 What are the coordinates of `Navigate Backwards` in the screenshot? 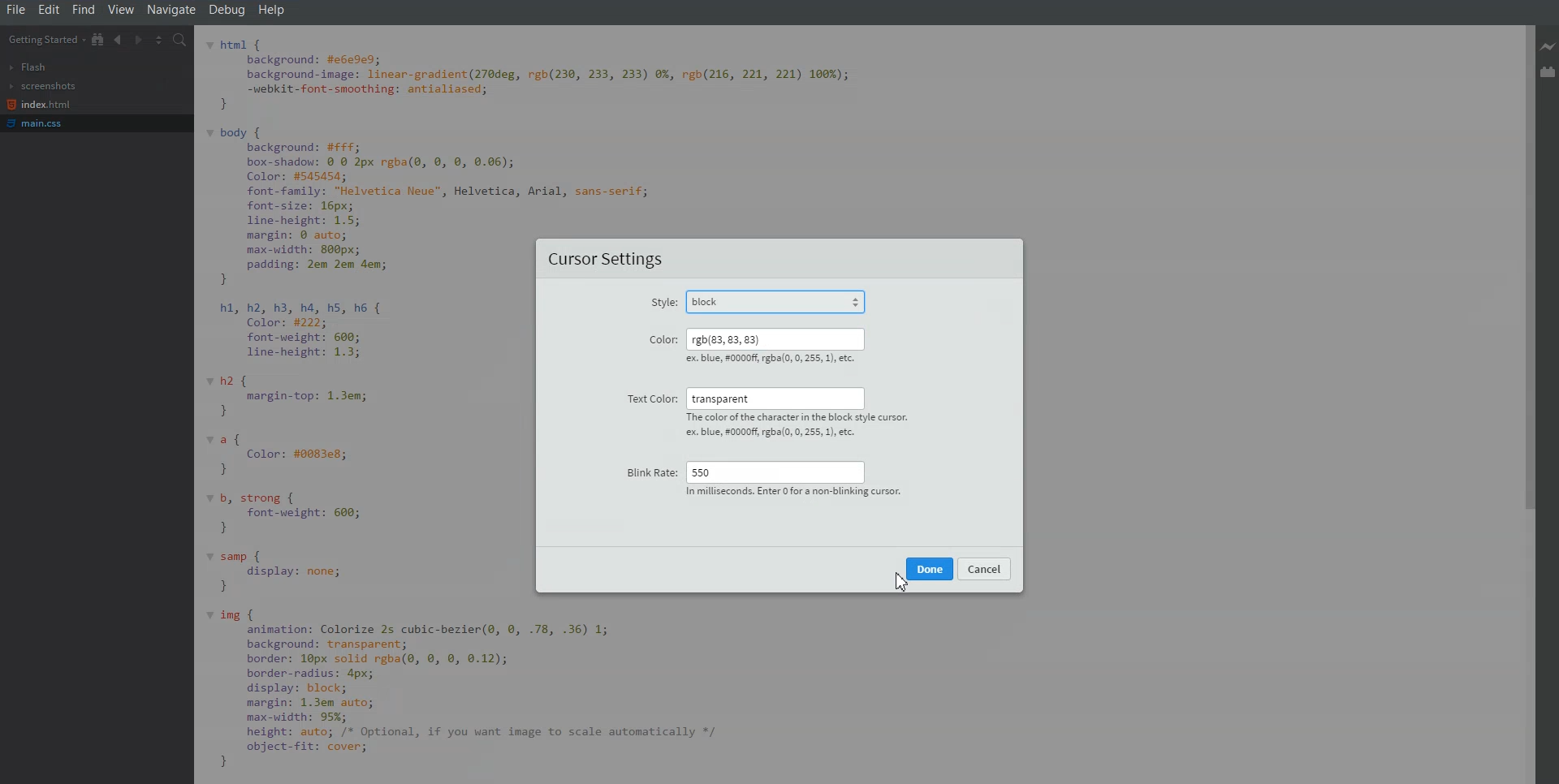 It's located at (119, 39).